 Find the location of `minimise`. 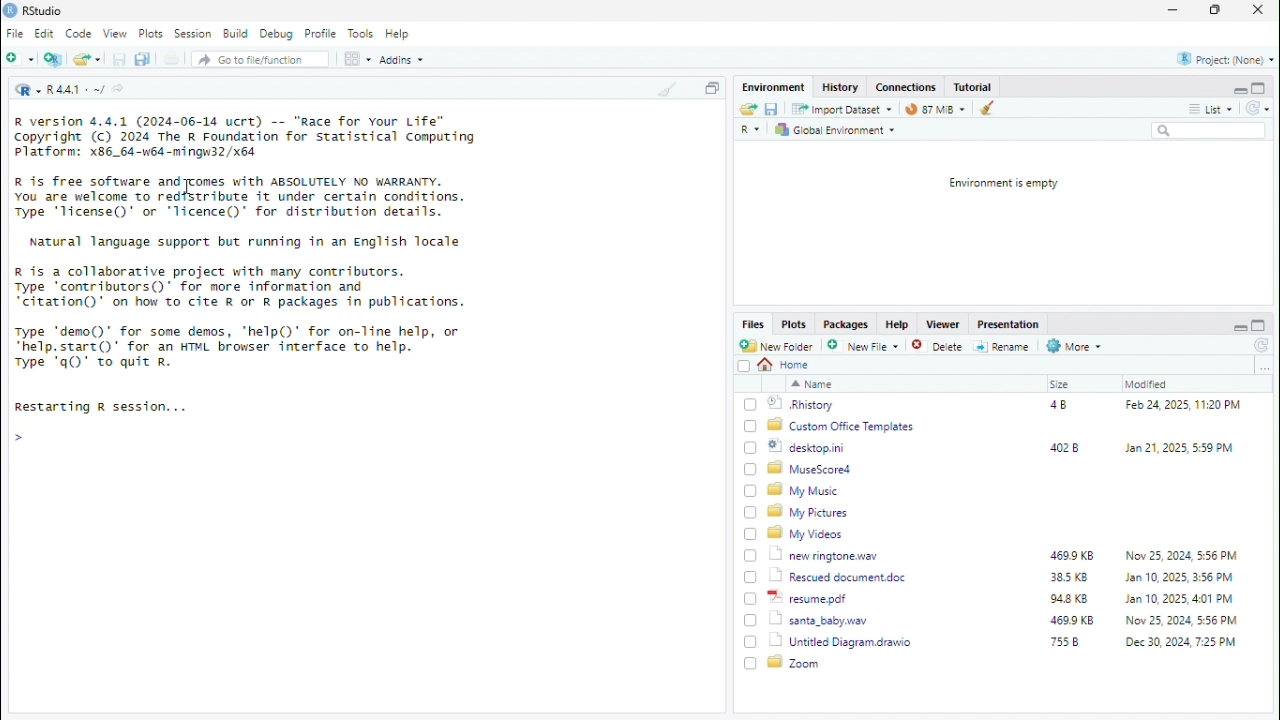

minimise is located at coordinates (1175, 8).